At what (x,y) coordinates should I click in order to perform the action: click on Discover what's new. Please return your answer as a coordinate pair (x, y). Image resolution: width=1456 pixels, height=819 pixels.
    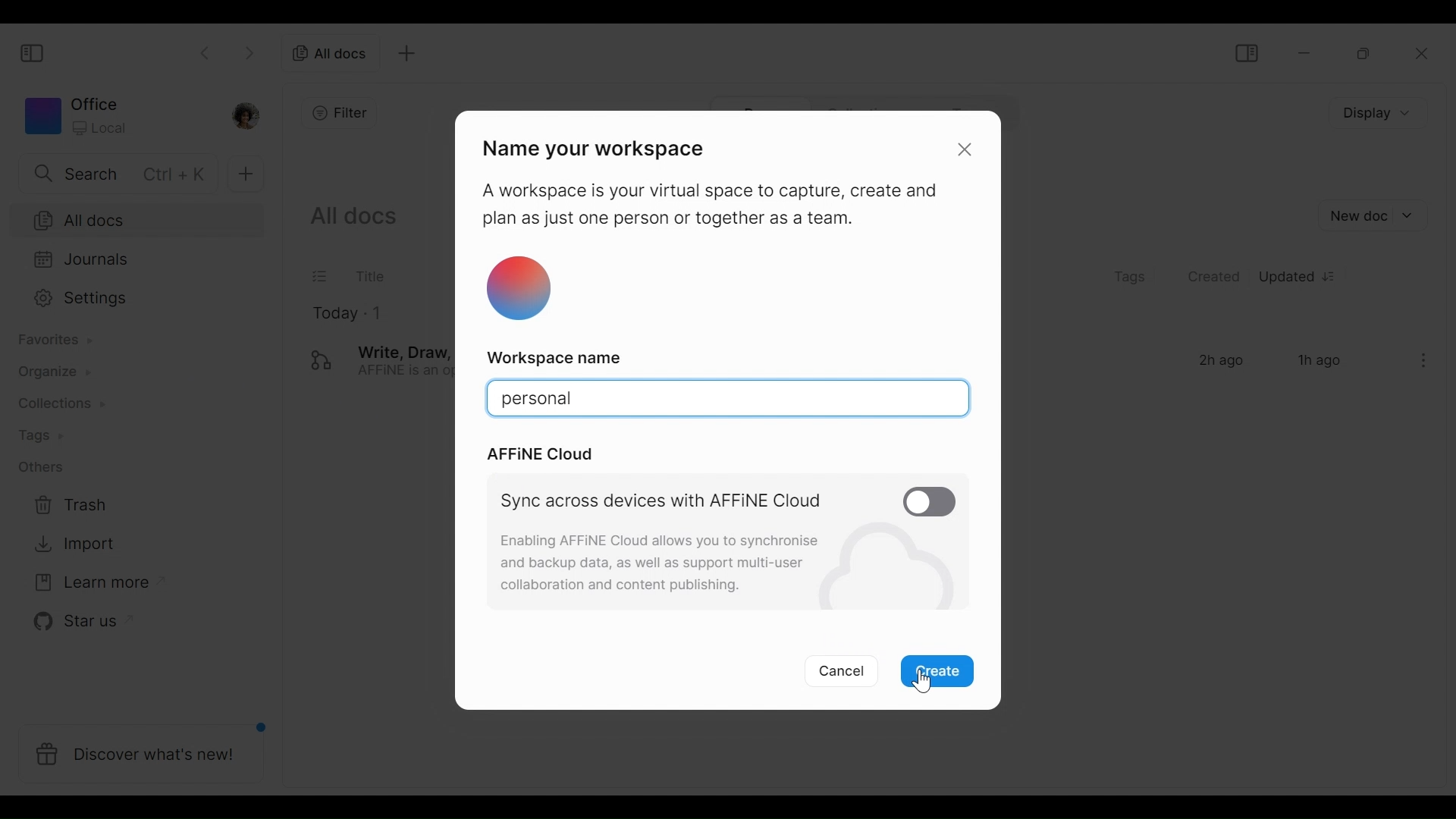
    Looking at the image, I should click on (140, 750).